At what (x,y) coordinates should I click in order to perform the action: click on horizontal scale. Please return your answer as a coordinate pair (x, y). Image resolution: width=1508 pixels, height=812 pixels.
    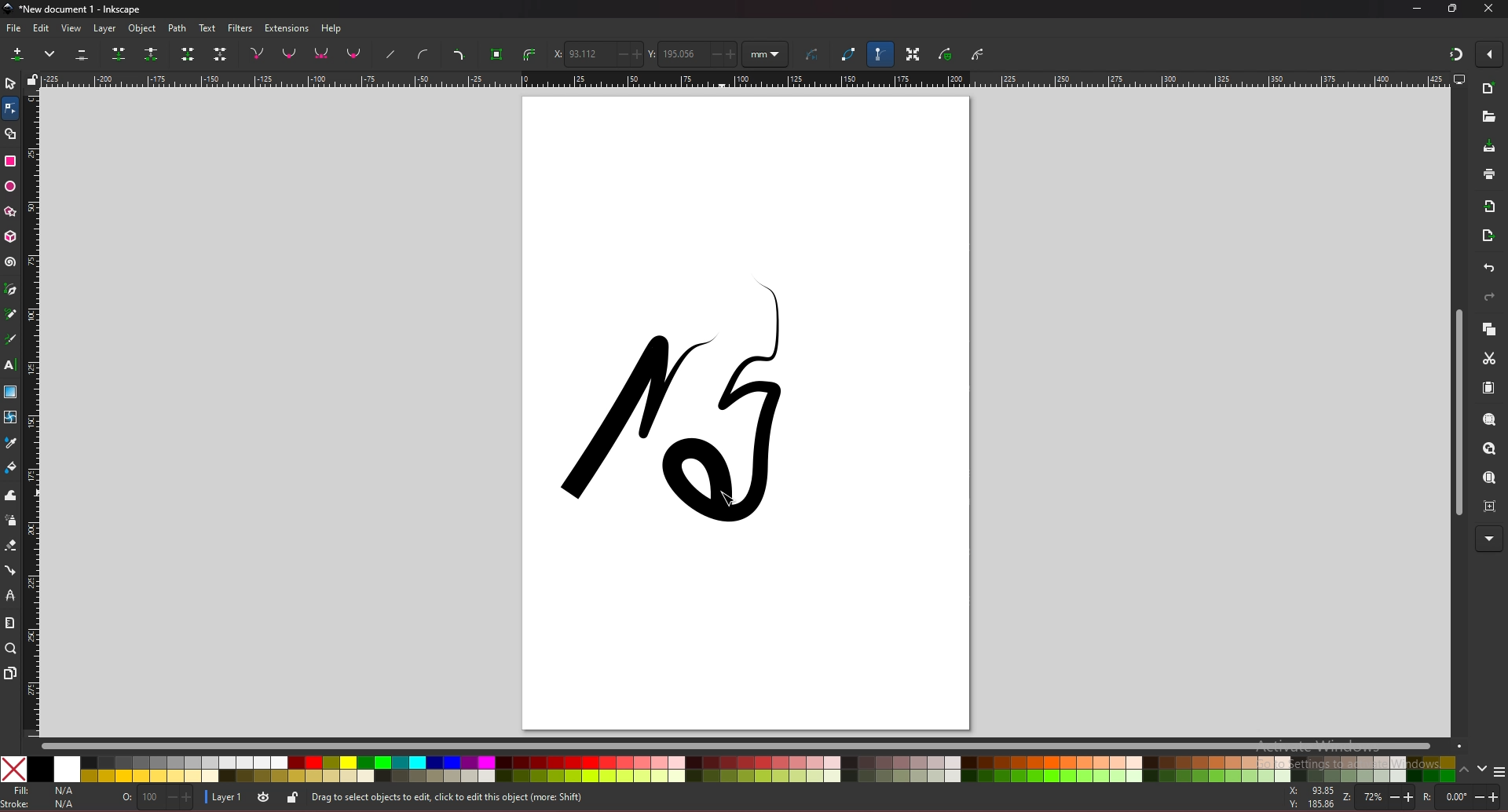
    Looking at the image, I should click on (745, 79).